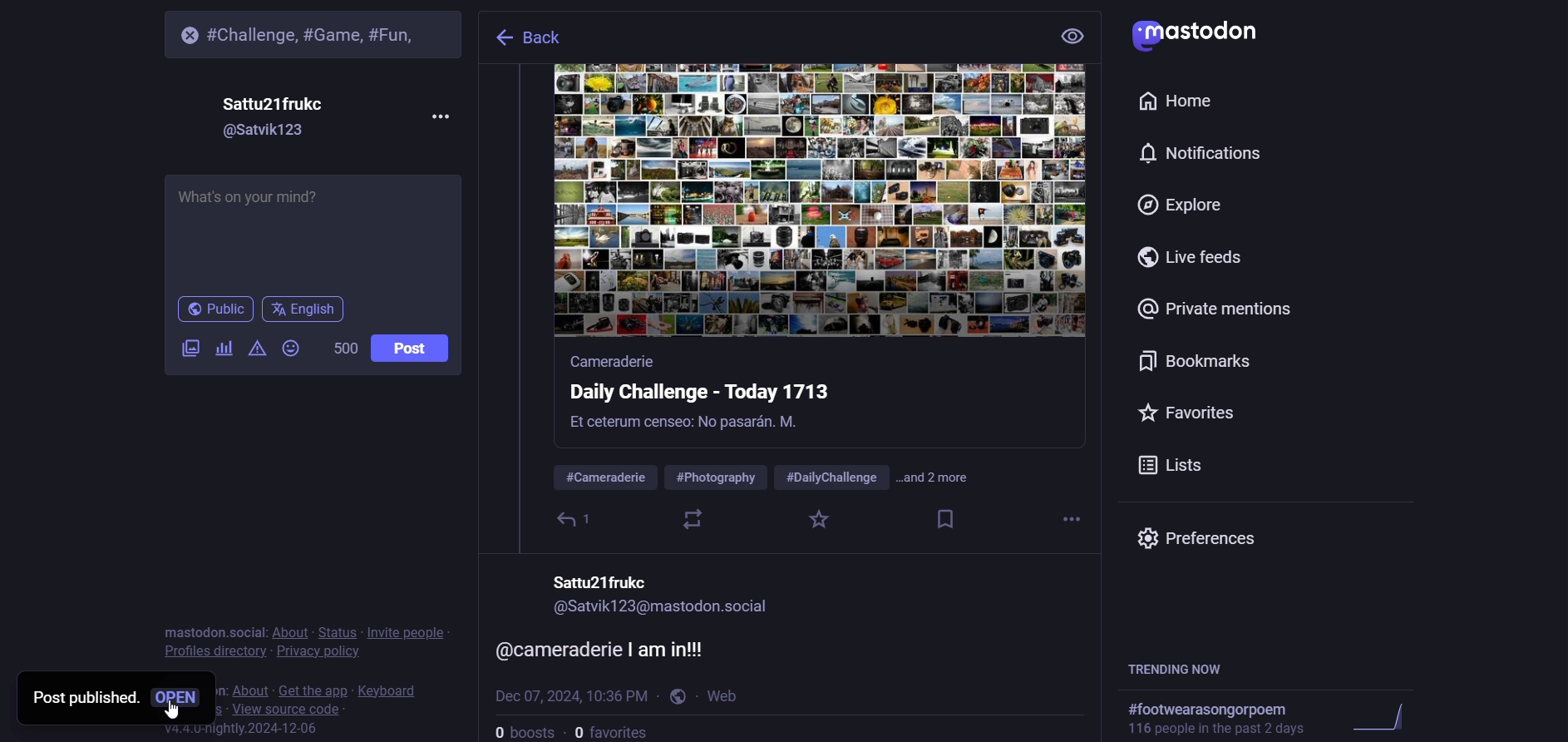 The image size is (1568, 742). Describe the element at coordinates (290, 350) in the screenshot. I see `emoji` at that location.